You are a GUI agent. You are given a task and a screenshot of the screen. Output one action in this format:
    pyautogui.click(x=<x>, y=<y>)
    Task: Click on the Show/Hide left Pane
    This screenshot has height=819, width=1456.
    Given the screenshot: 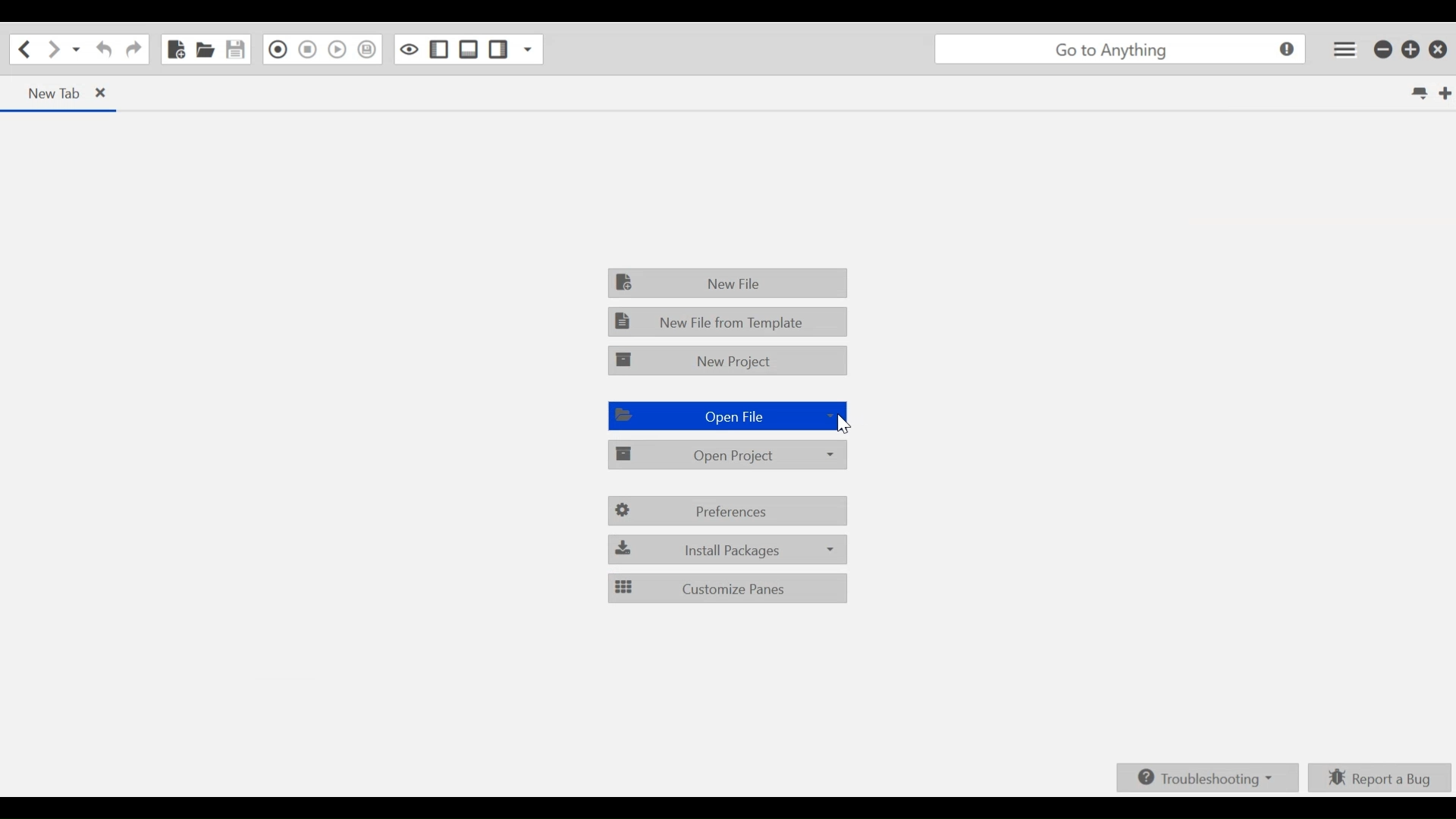 What is the action you would take?
    pyautogui.click(x=439, y=50)
    